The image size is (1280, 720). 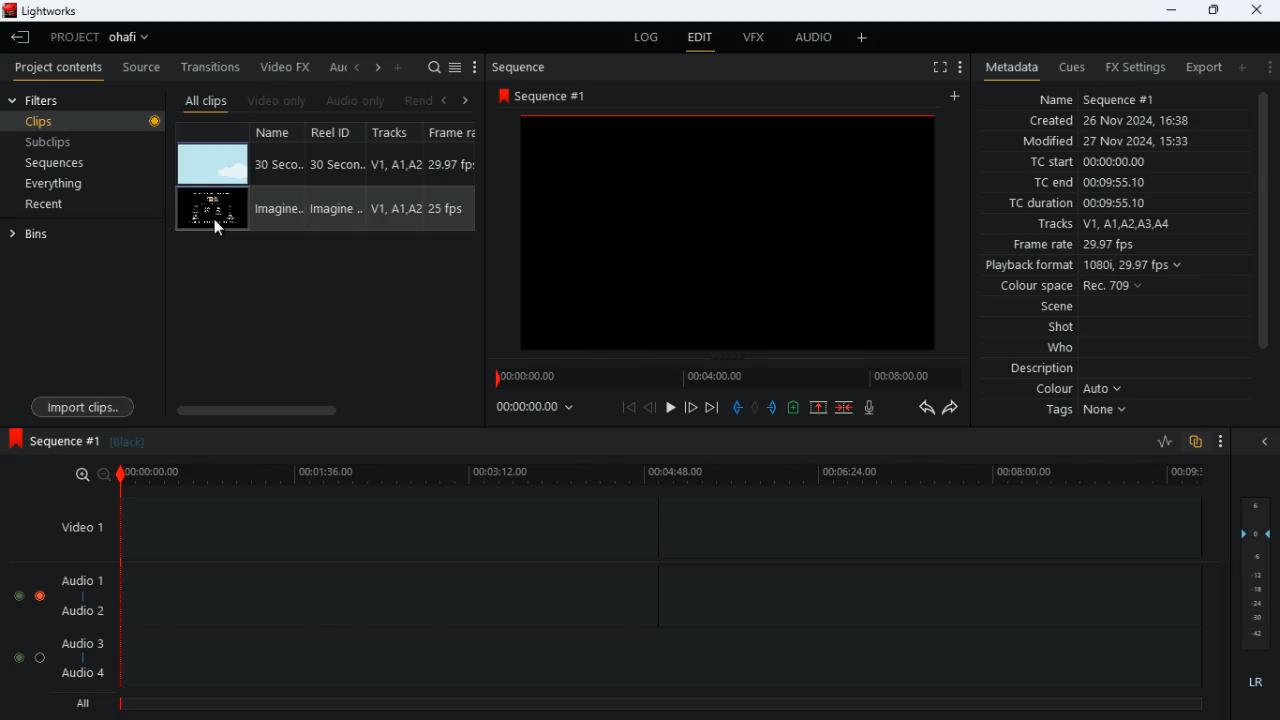 What do you see at coordinates (667, 477) in the screenshot?
I see `timeline` at bounding box center [667, 477].